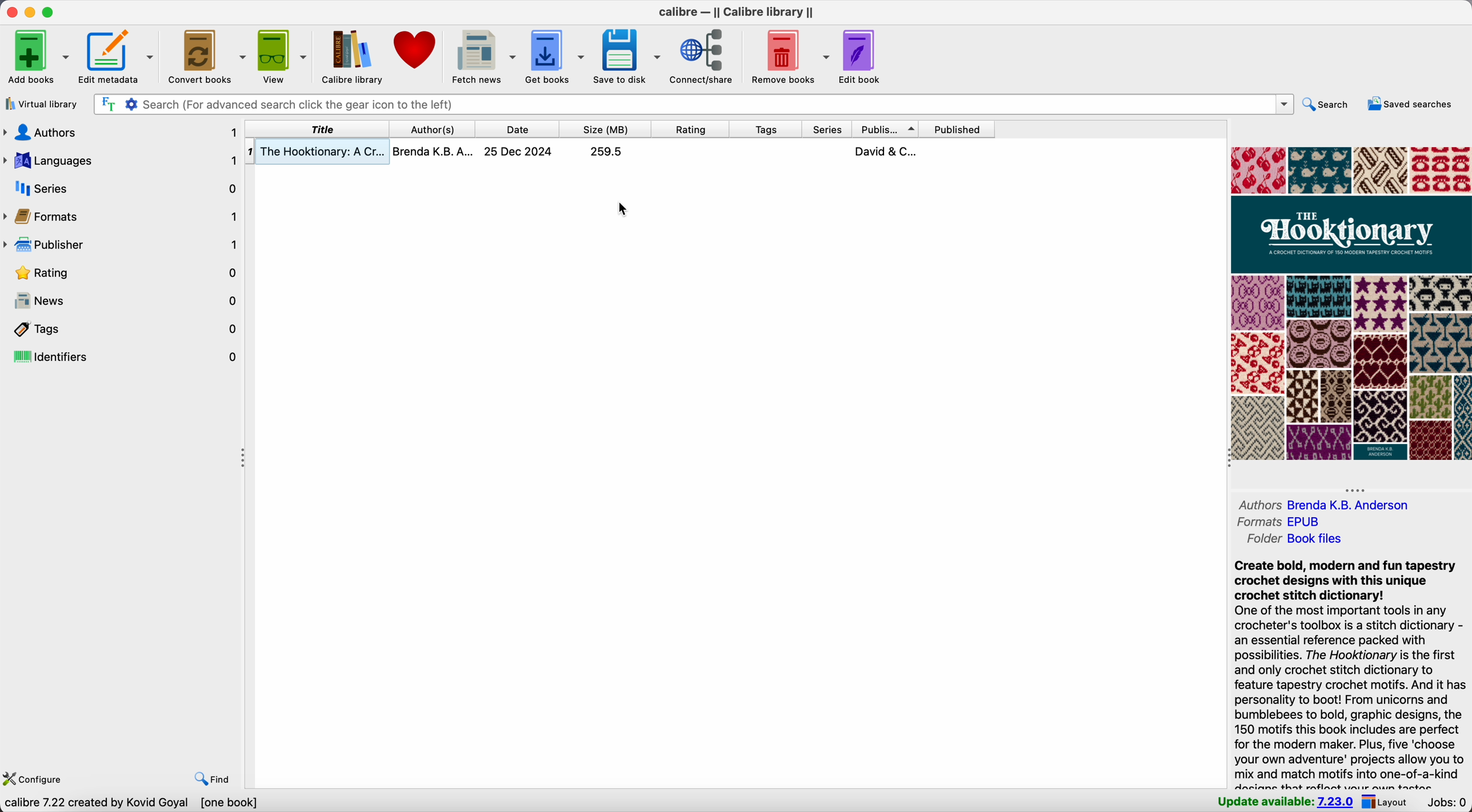 This screenshot has width=1472, height=812. What do you see at coordinates (769, 129) in the screenshot?
I see `tags` at bounding box center [769, 129].